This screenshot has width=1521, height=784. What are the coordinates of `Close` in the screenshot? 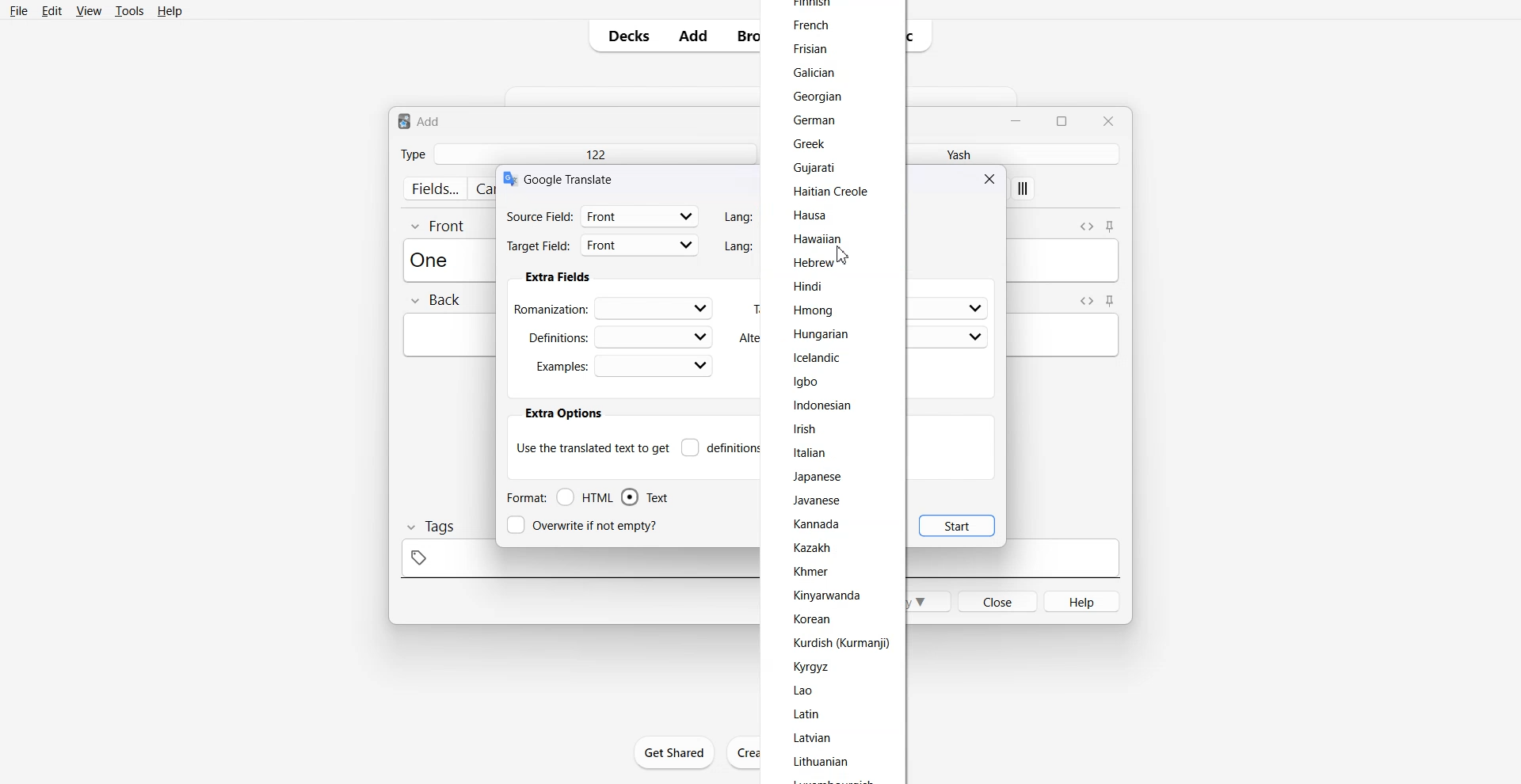 It's located at (1107, 120).